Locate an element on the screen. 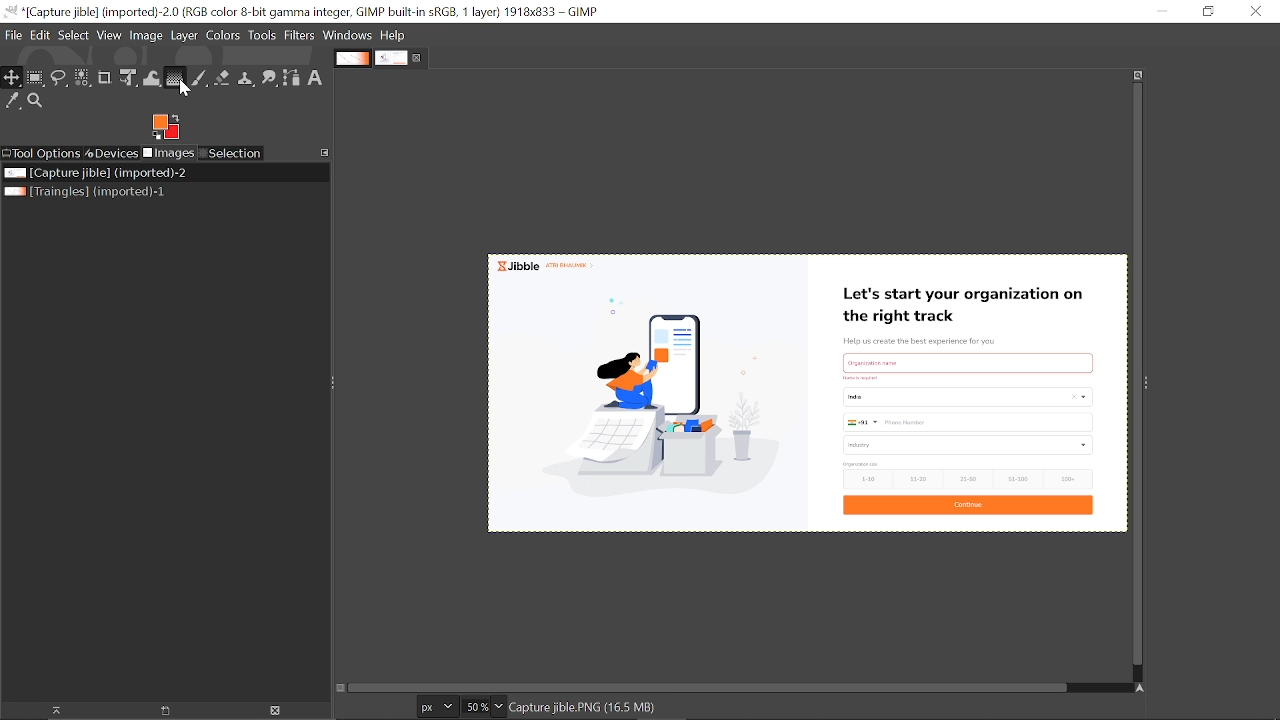  Minimize is located at coordinates (1164, 12).